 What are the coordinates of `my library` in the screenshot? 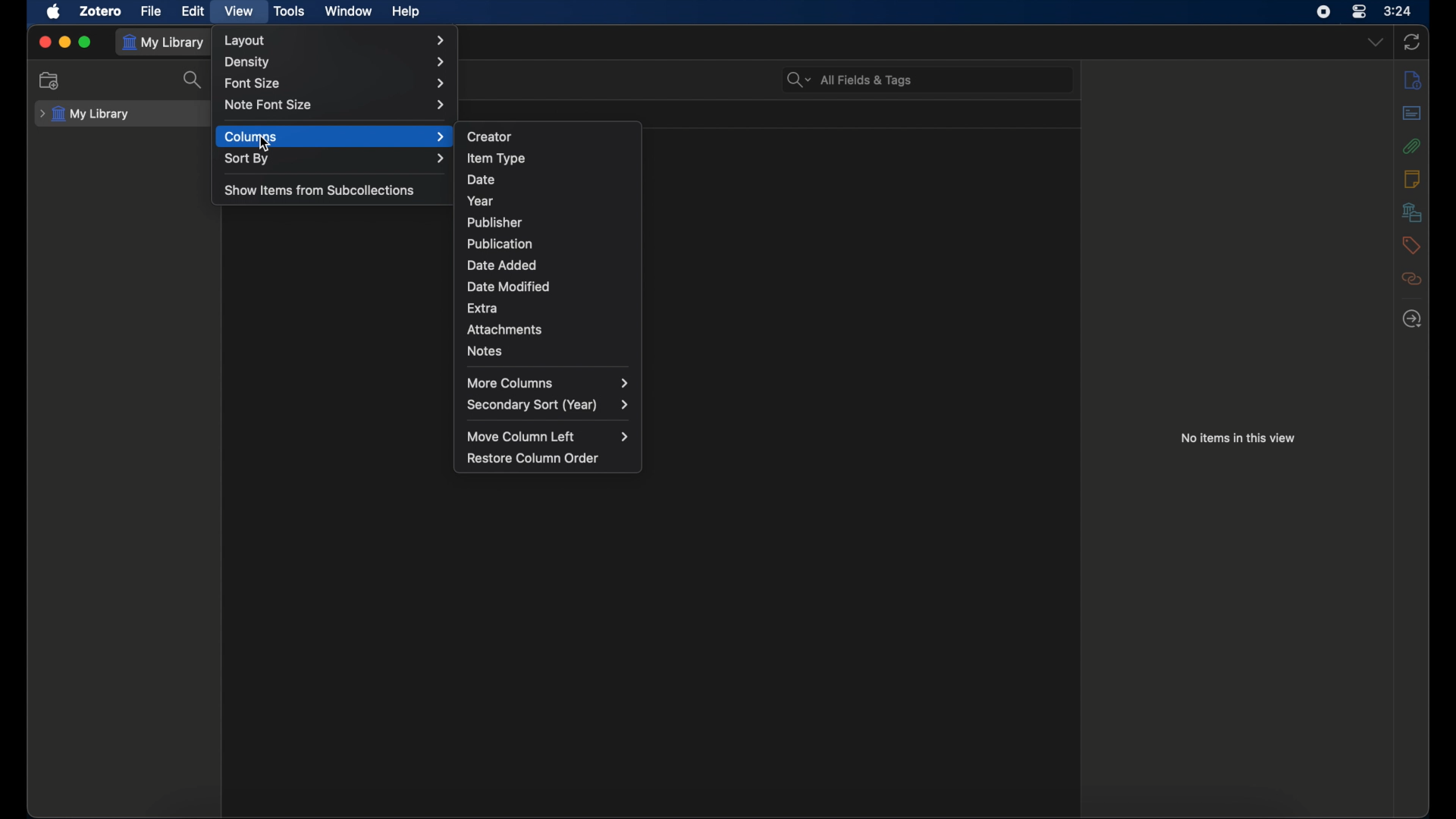 It's located at (165, 42).